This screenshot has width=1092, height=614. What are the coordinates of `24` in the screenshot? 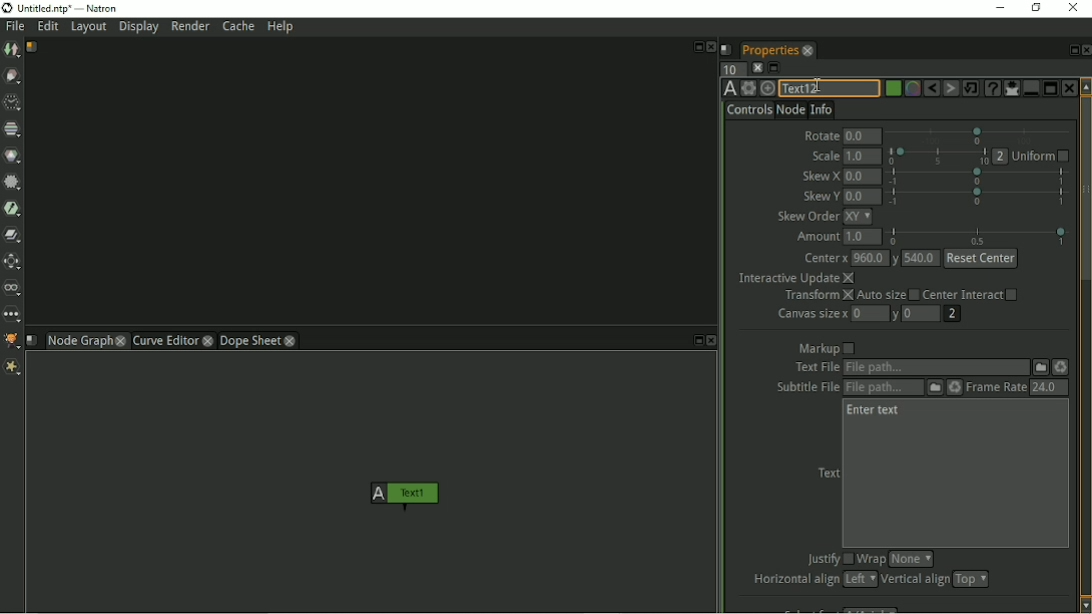 It's located at (1048, 387).